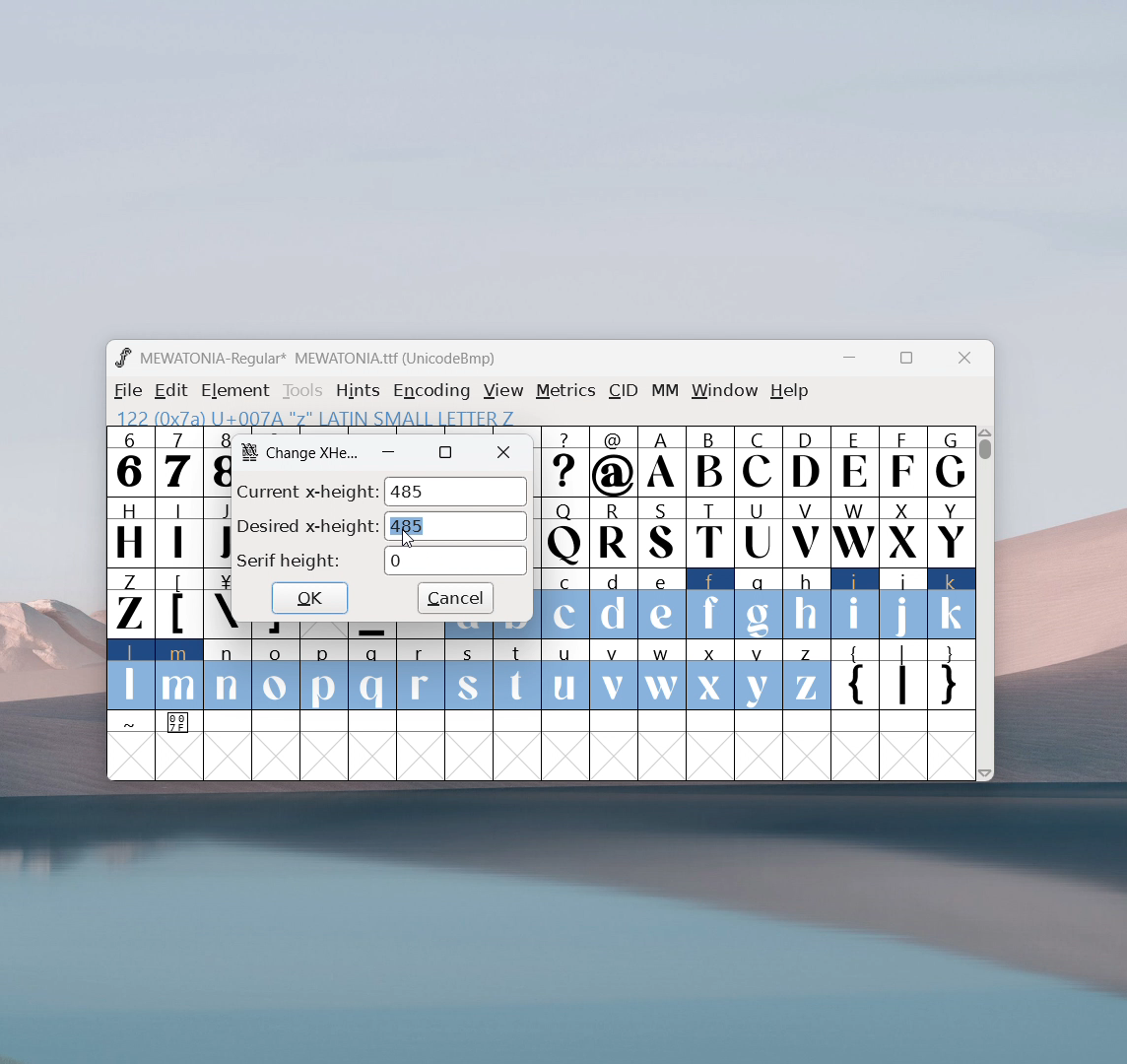  Describe the element at coordinates (372, 676) in the screenshot. I see `q` at that location.